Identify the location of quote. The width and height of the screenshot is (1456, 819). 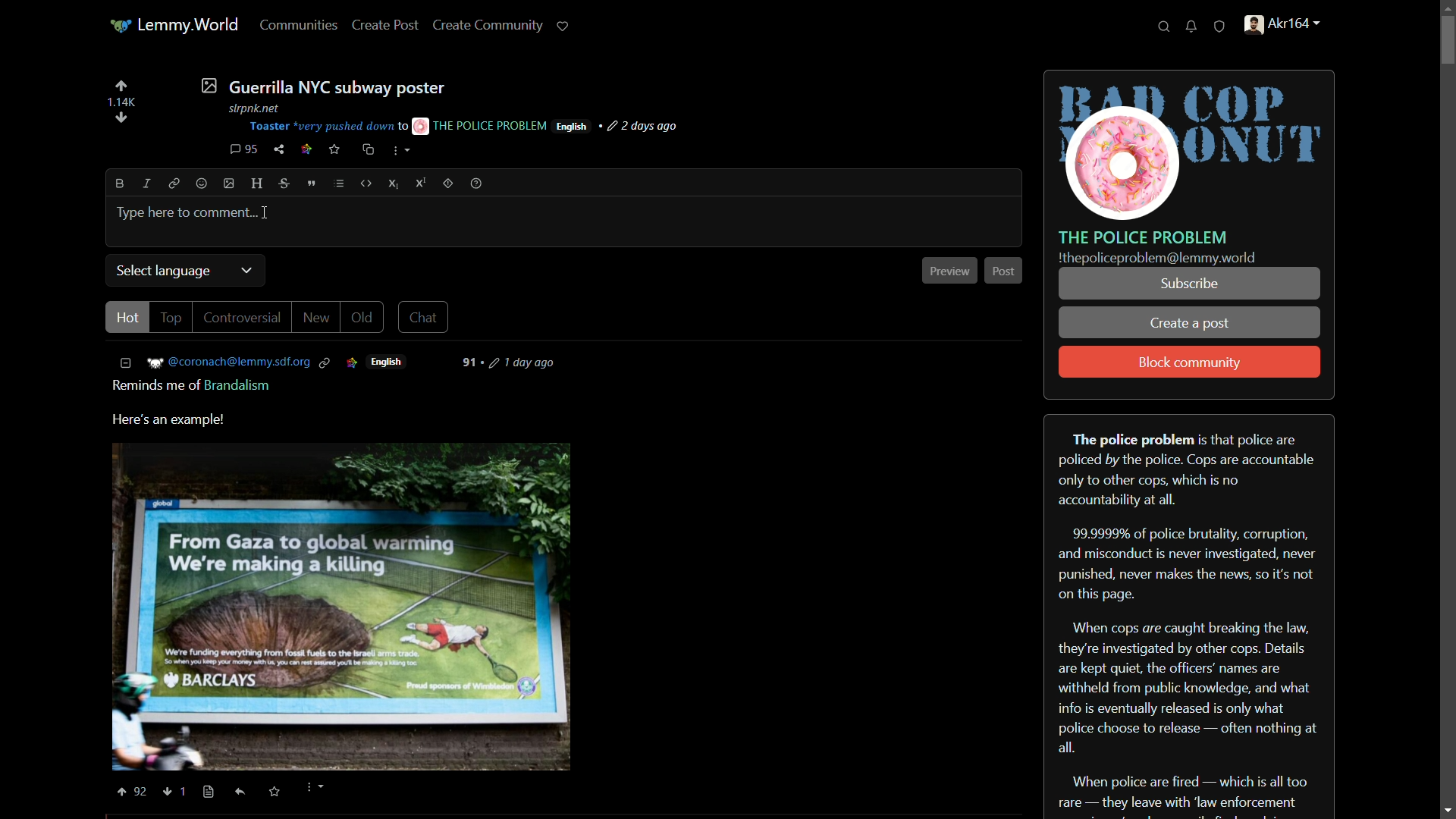
(312, 184).